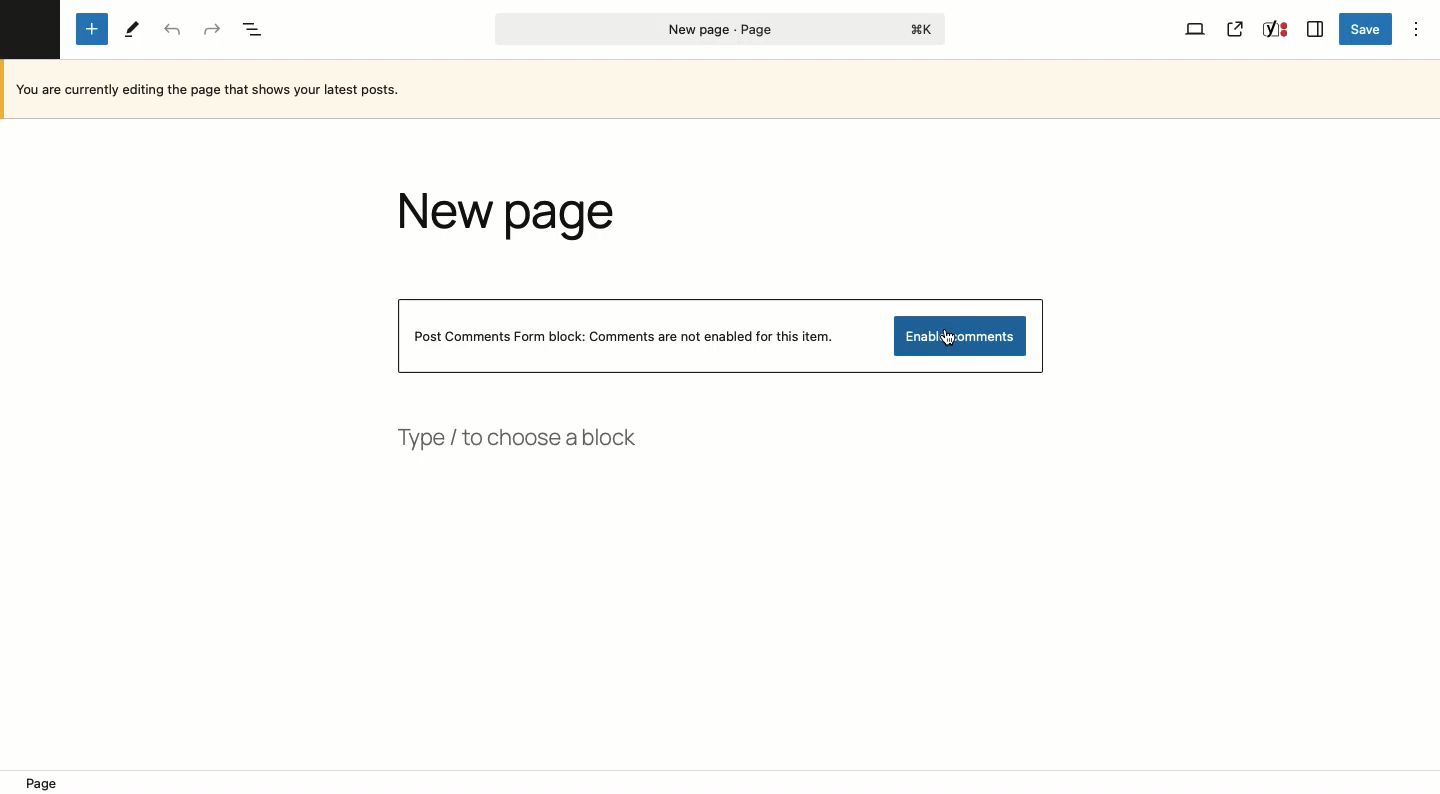  What do you see at coordinates (91, 31) in the screenshot?
I see `Add new block` at bounding box center [91, 31].